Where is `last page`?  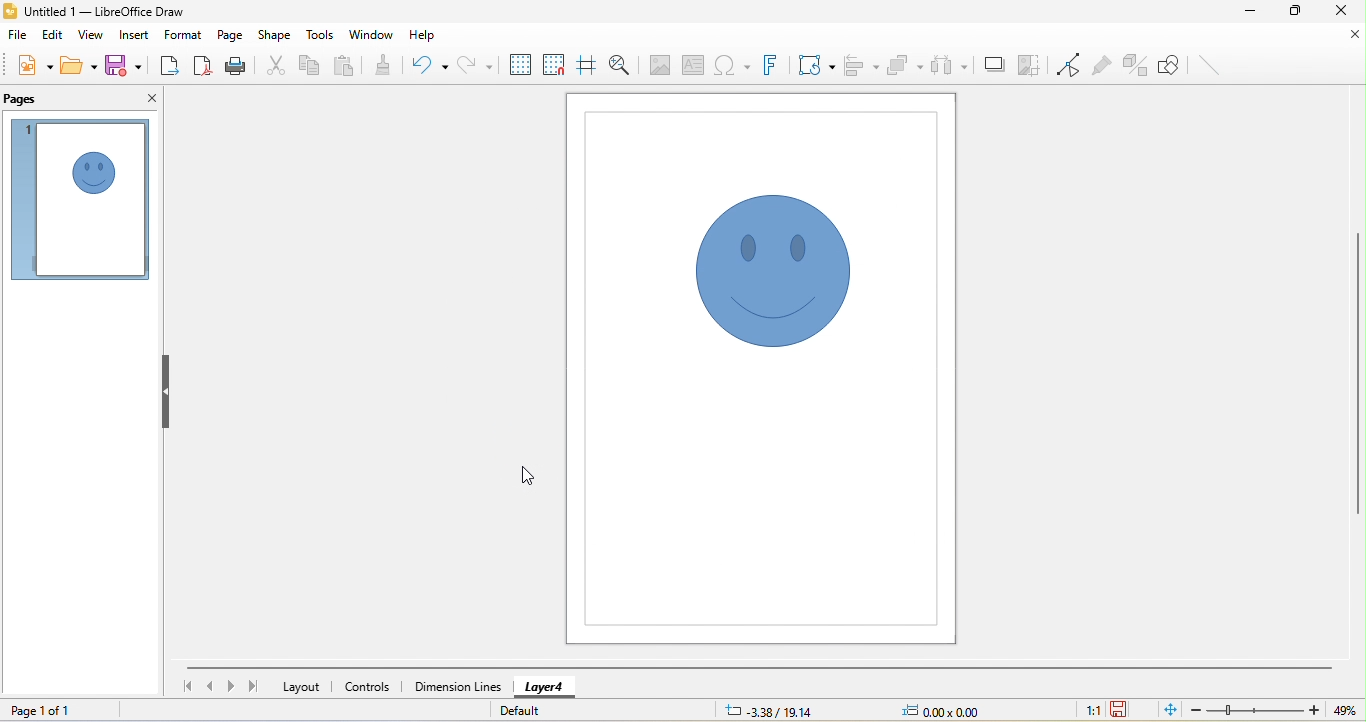 last page is located at coordinates (251, 685).